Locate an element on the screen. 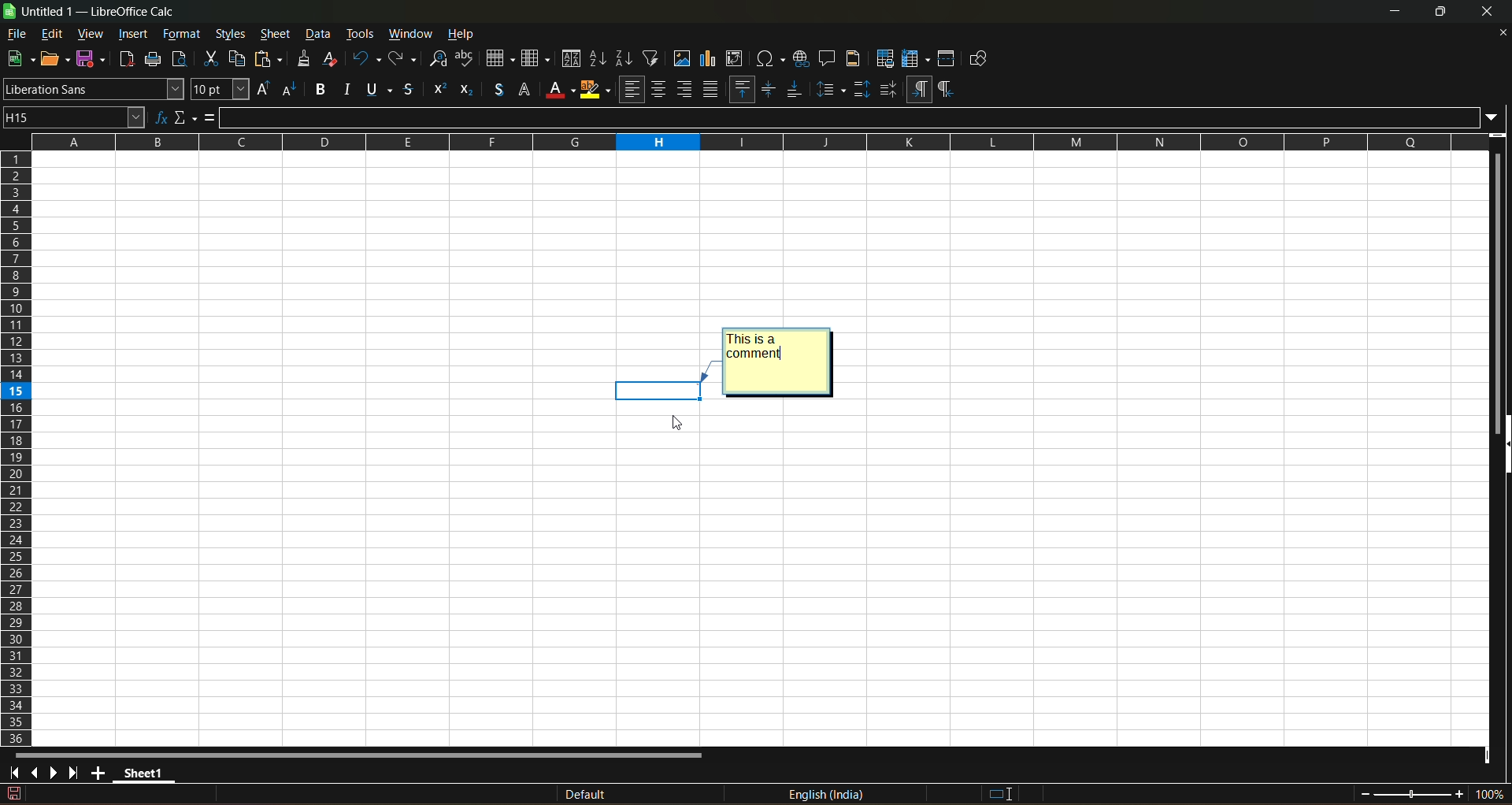 The height and width of the screenshot is (805, 1512). scroll to next sheet is located at coordinates (57, 772).